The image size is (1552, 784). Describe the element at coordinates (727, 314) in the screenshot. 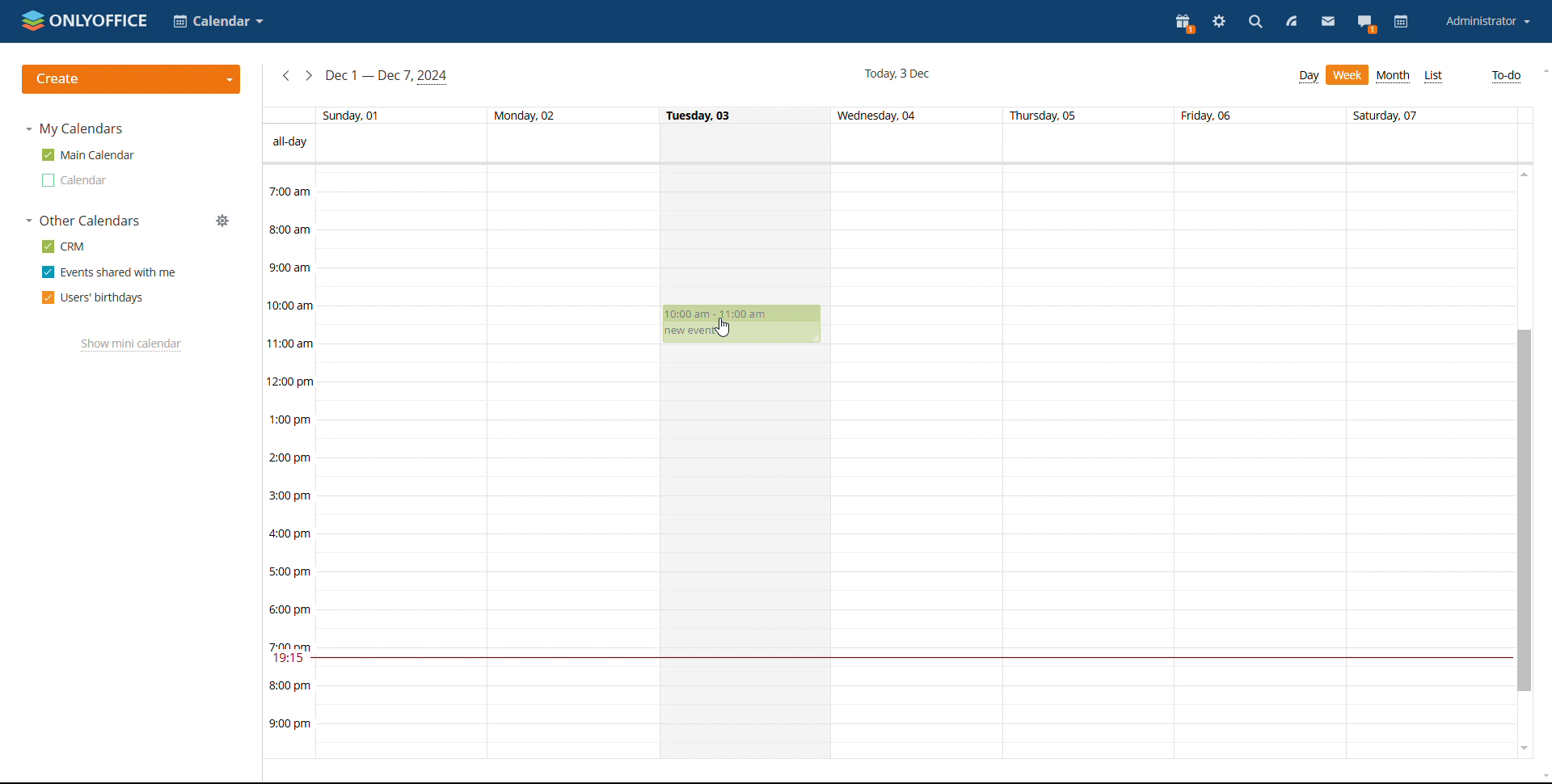

I see `10:00 am - 11:00 am` at that location.